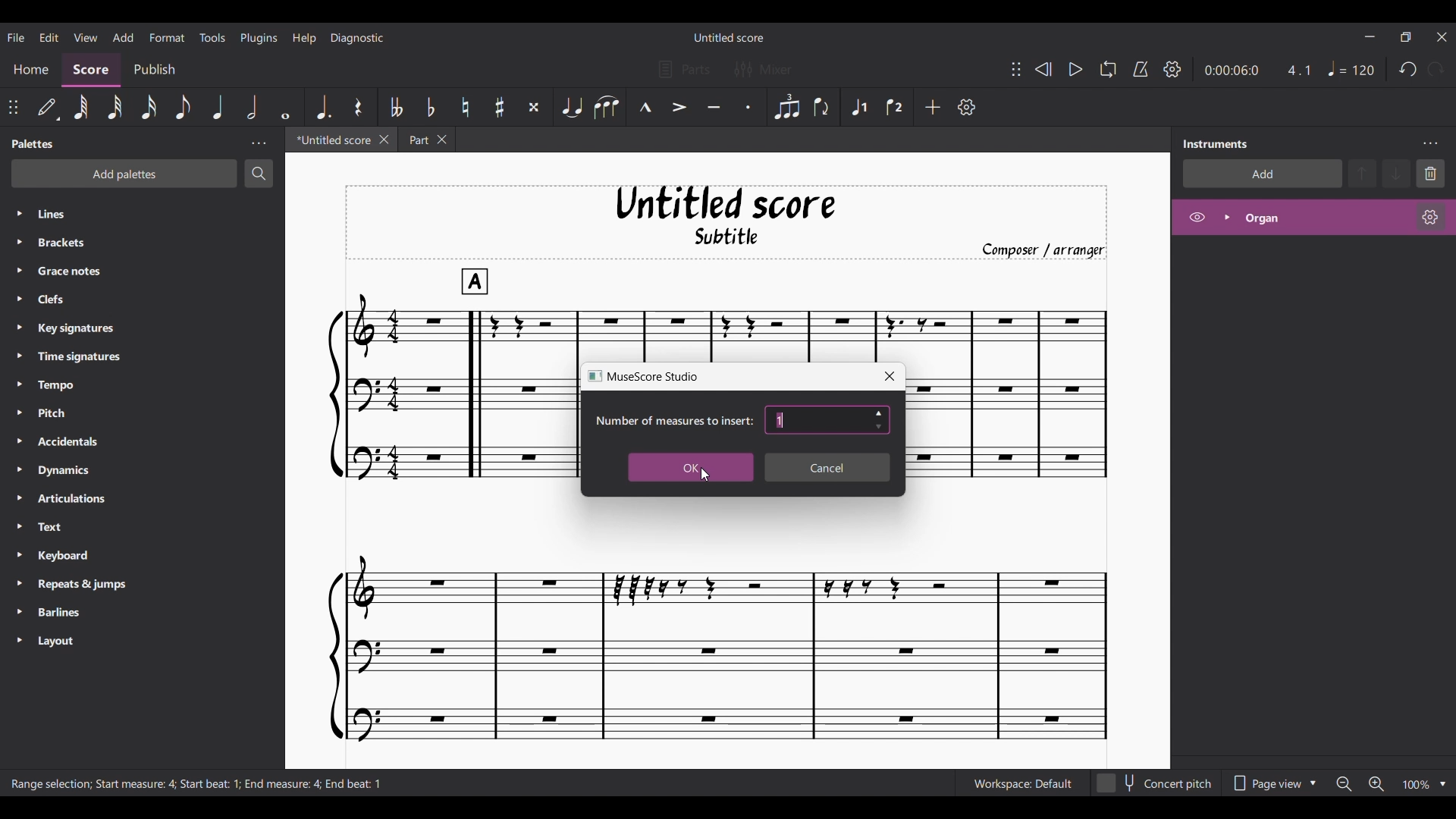 The image size is (1456, 819). What do you see at coordinates (1140, 70) in the screenshot?
I see `Metronome` at bounding box center [1140, 70].